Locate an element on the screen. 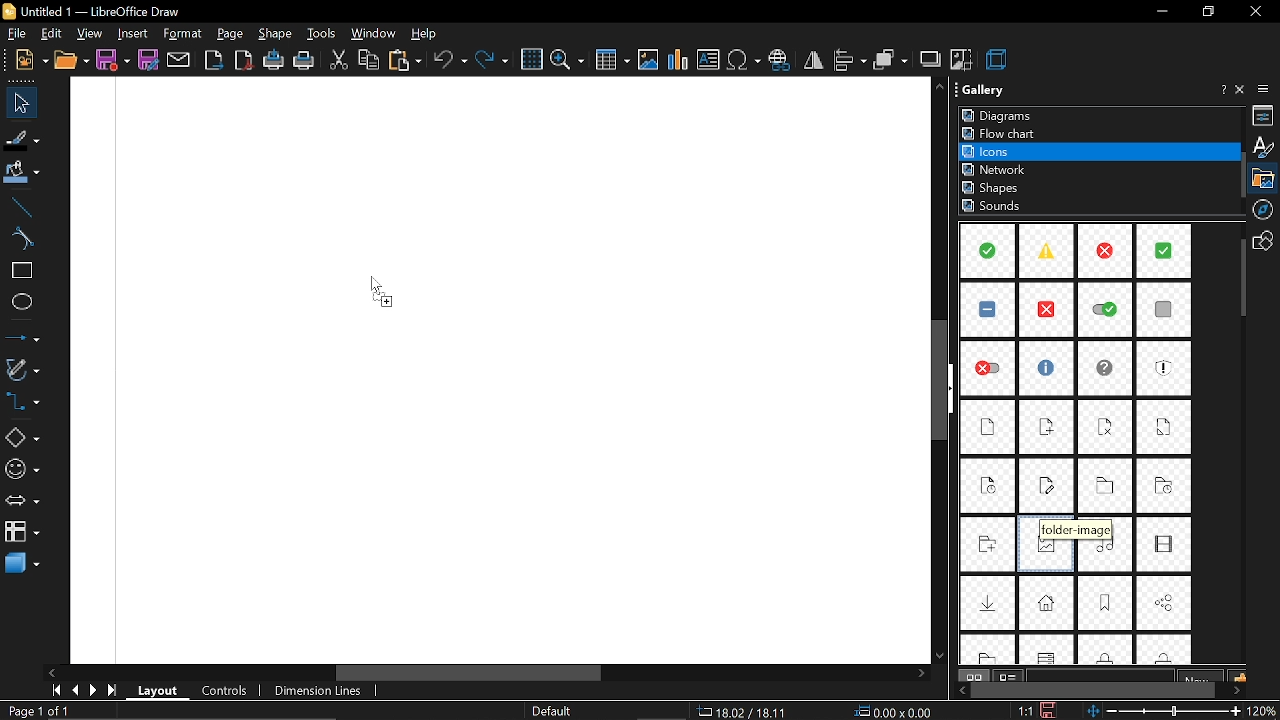 This screenshot has width=1280, height=720. insert table is located at coordinates (611, 61).